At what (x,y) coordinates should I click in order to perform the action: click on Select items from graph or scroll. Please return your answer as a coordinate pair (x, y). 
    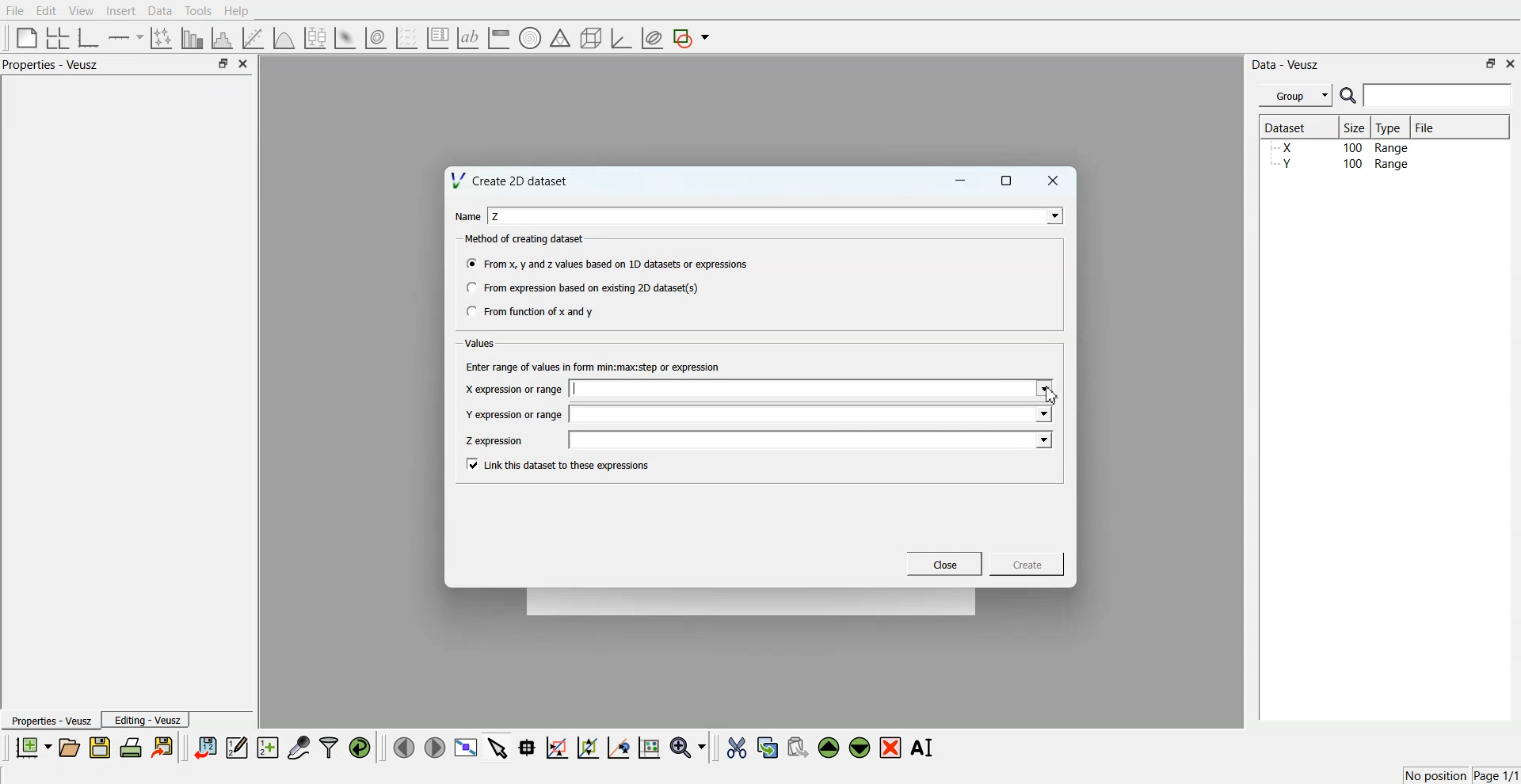
    Looking at the image, I should click on (498, 746).